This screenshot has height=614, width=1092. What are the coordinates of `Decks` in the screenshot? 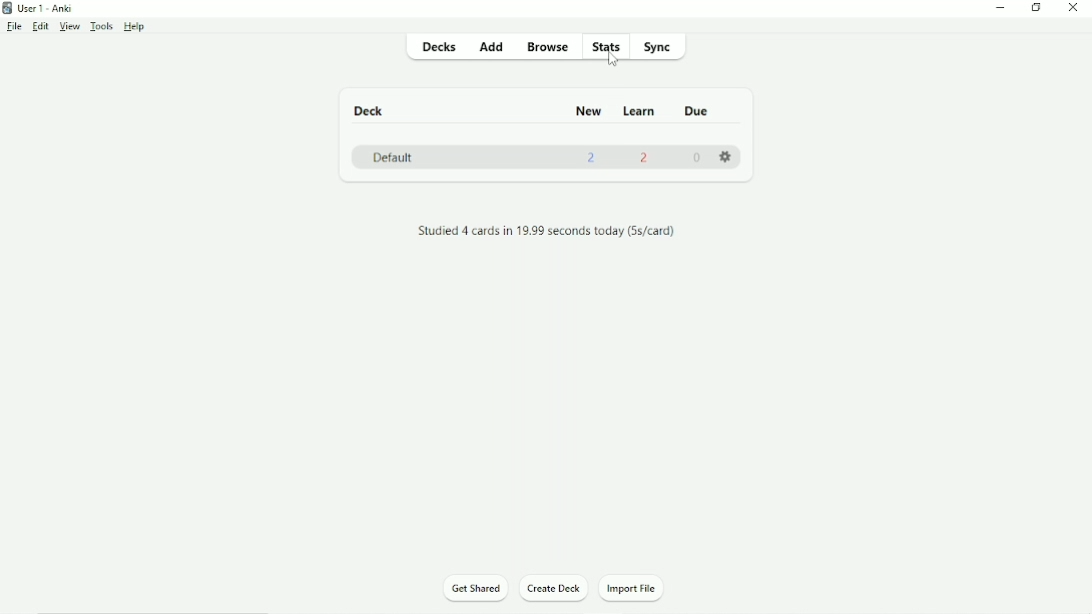 It's located at (443, 48).